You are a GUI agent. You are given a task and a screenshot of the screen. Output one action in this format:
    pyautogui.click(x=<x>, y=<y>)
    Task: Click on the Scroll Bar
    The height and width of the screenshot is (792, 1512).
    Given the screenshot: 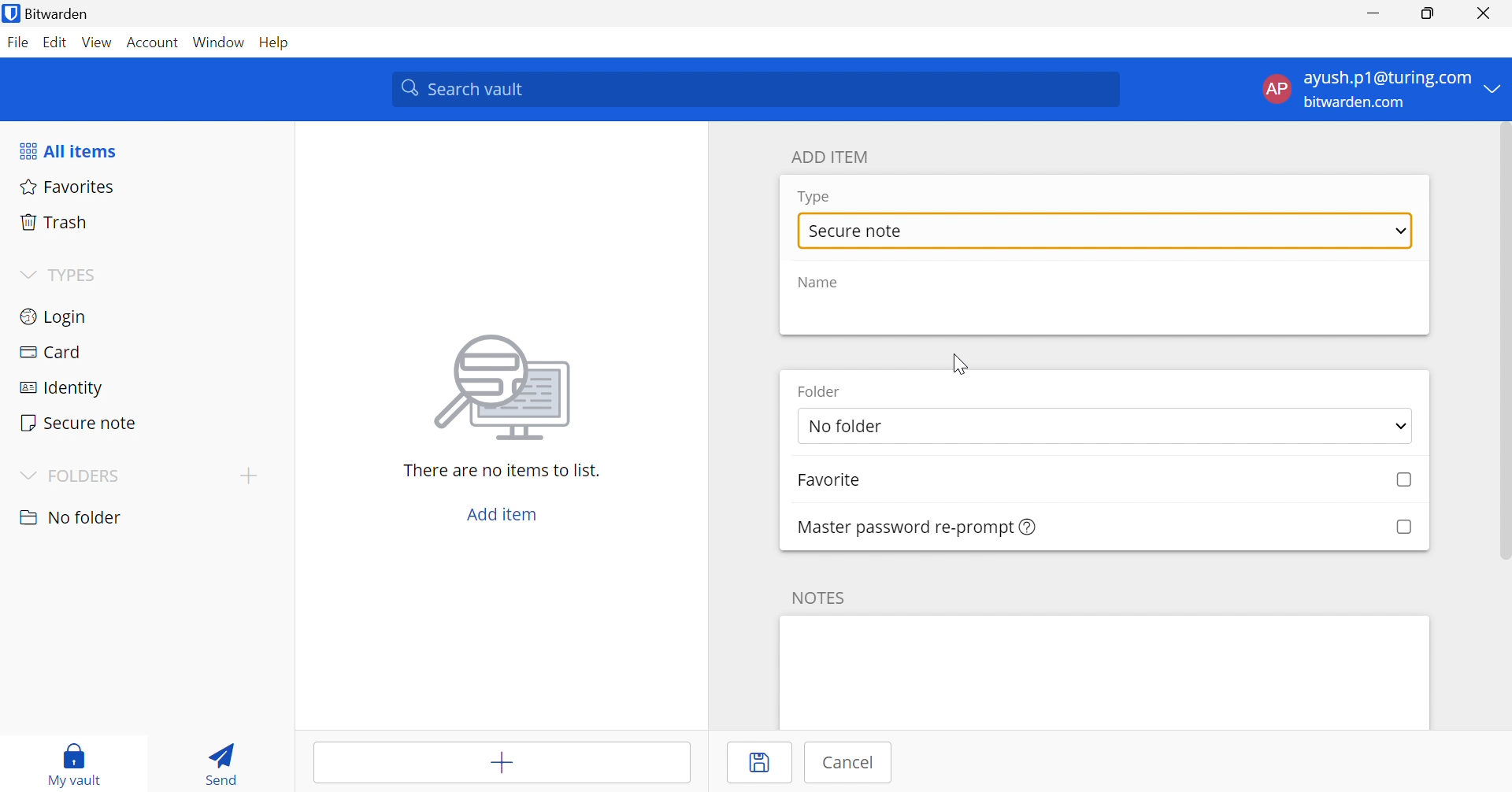 What is the action you would take?
    pyautogui.click(x=1503, y=344)
    